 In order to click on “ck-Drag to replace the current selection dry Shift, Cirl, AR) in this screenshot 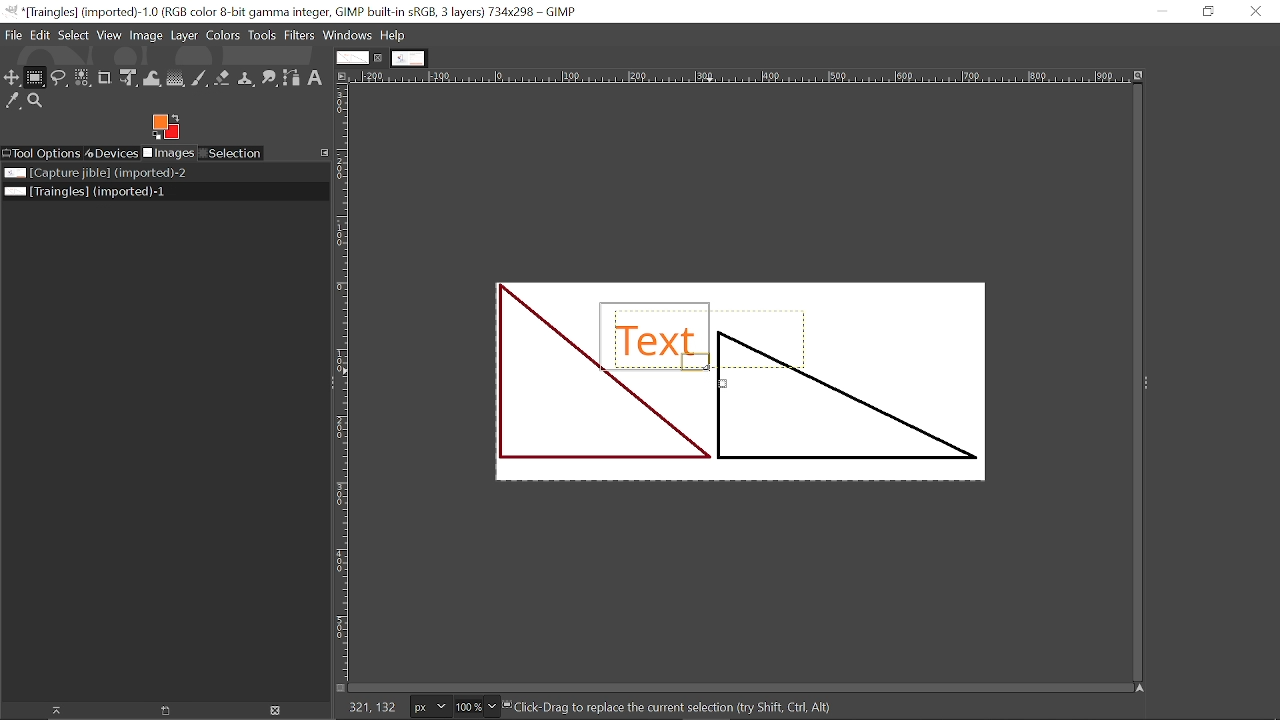, I will do `click(685, 706)`.